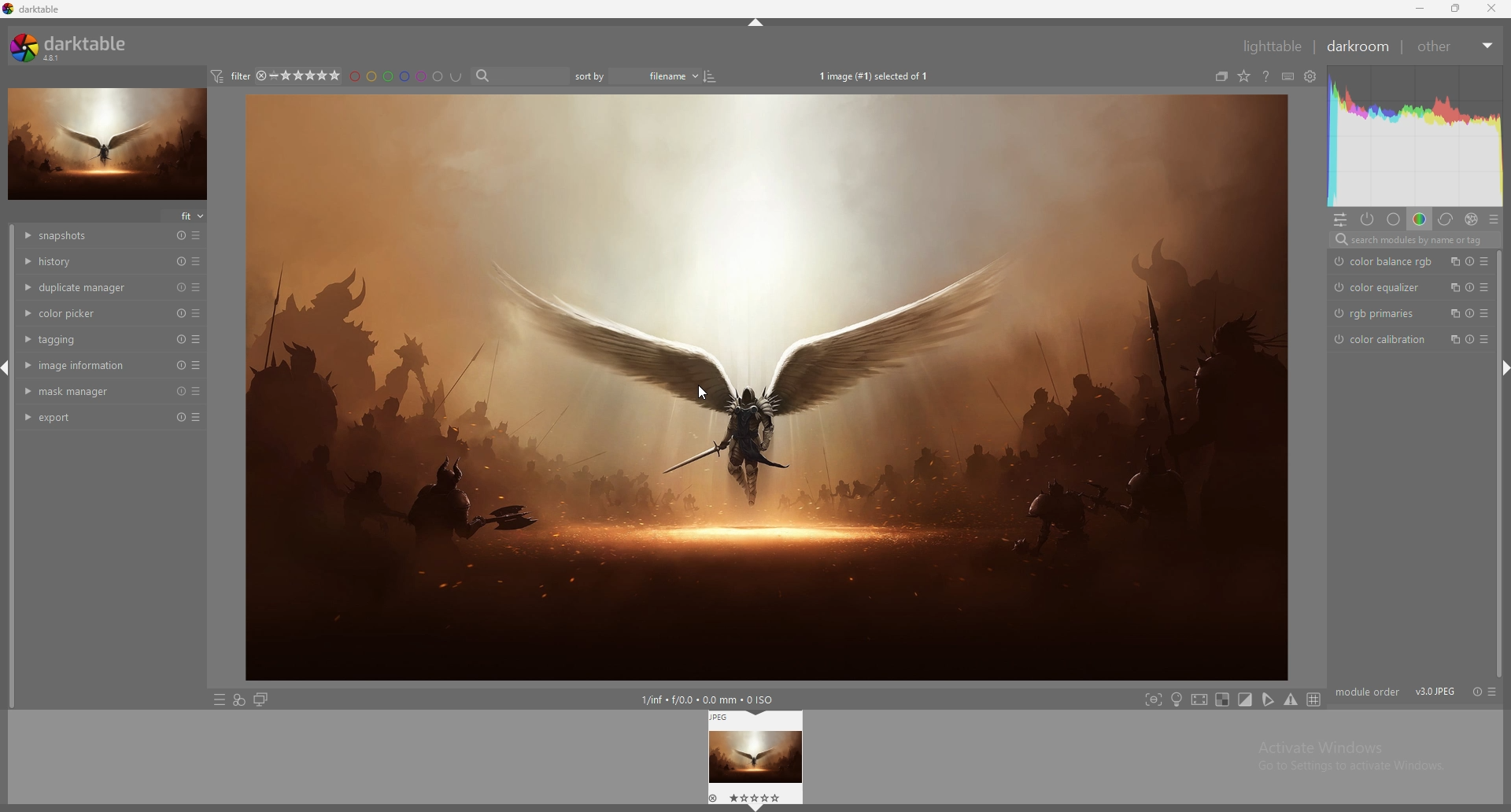  I want to click on presets, so click(1487, 338).